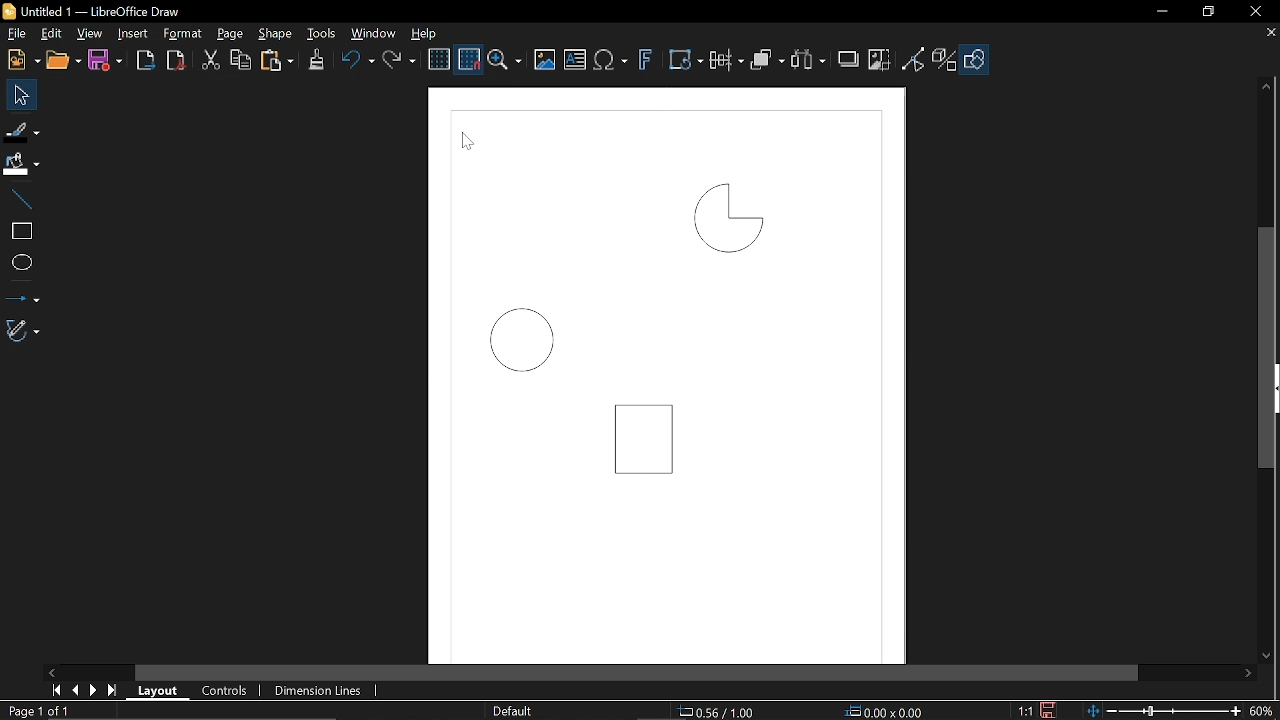  Describe the element at coordinates (22, 61) in the screenshot. I see `New` at that location.